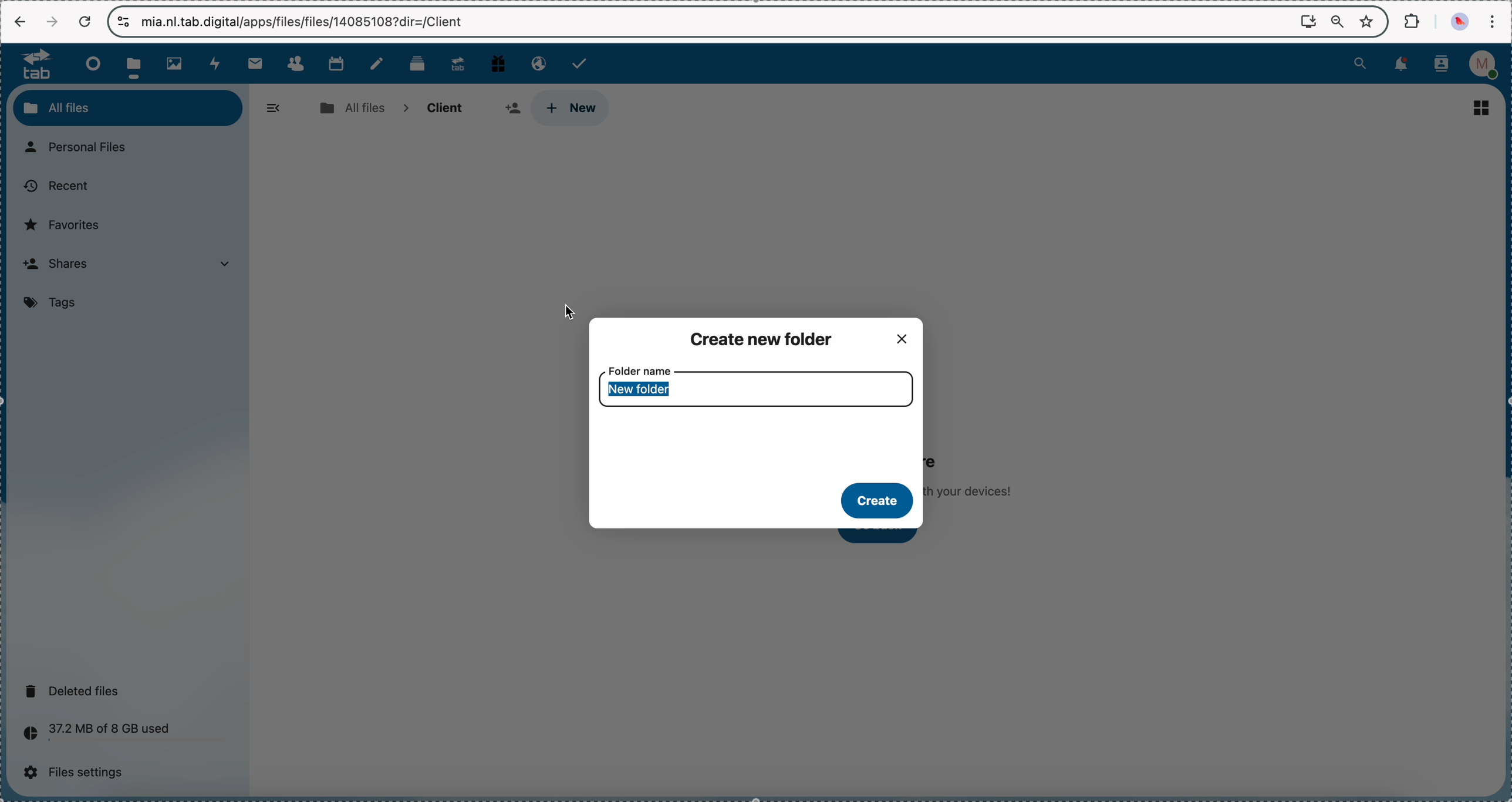 This screenshot has width=1512, height=802. I want to click on cursor, so click(566, 311).